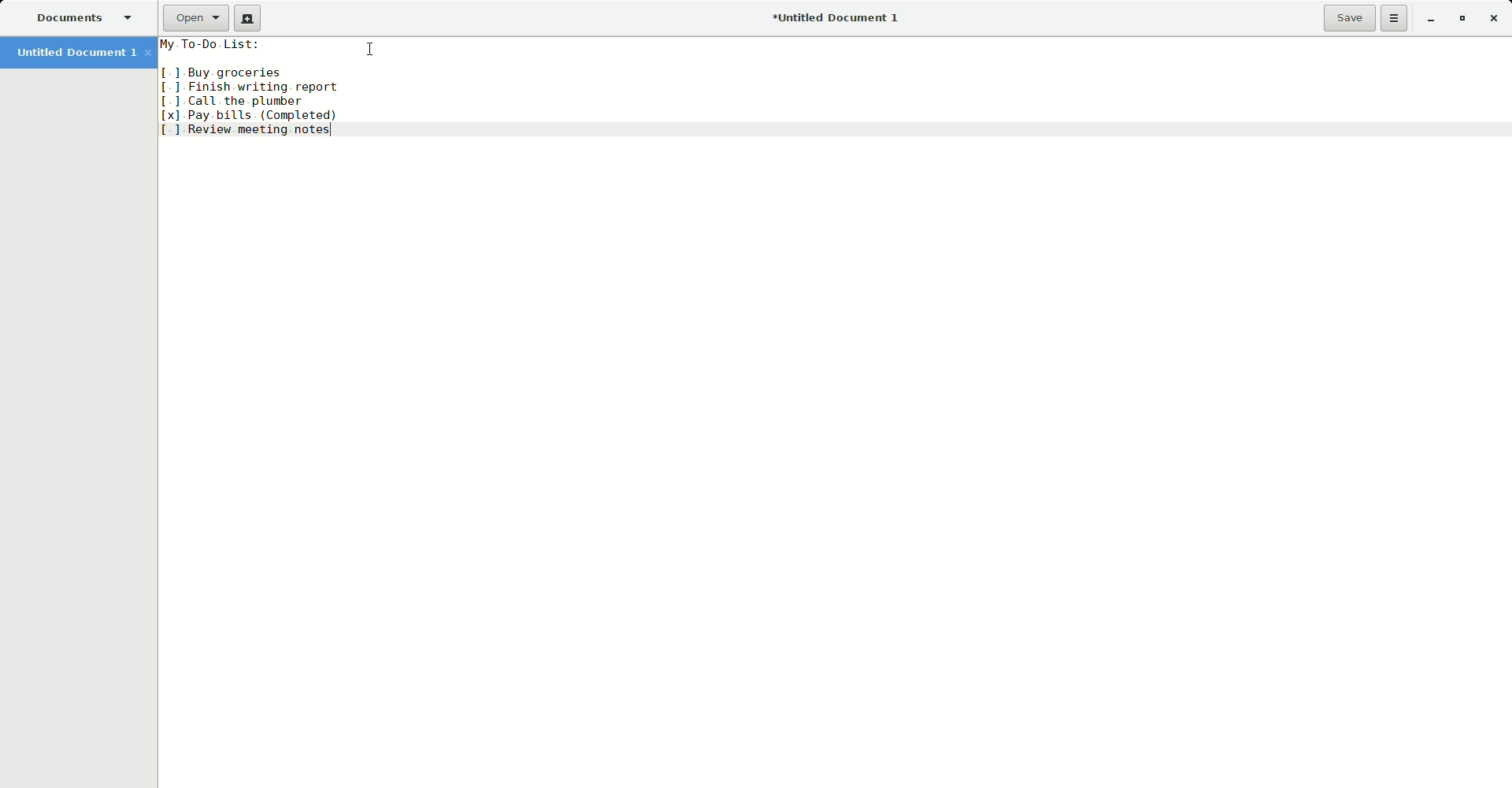  I want to click on To-Do.-List:[1 Buy groceries[1 Finish writing. report[1 Call the plumber[x] Pay bills. (Completed)[1 Review meeting notes|, so click(830, 87).